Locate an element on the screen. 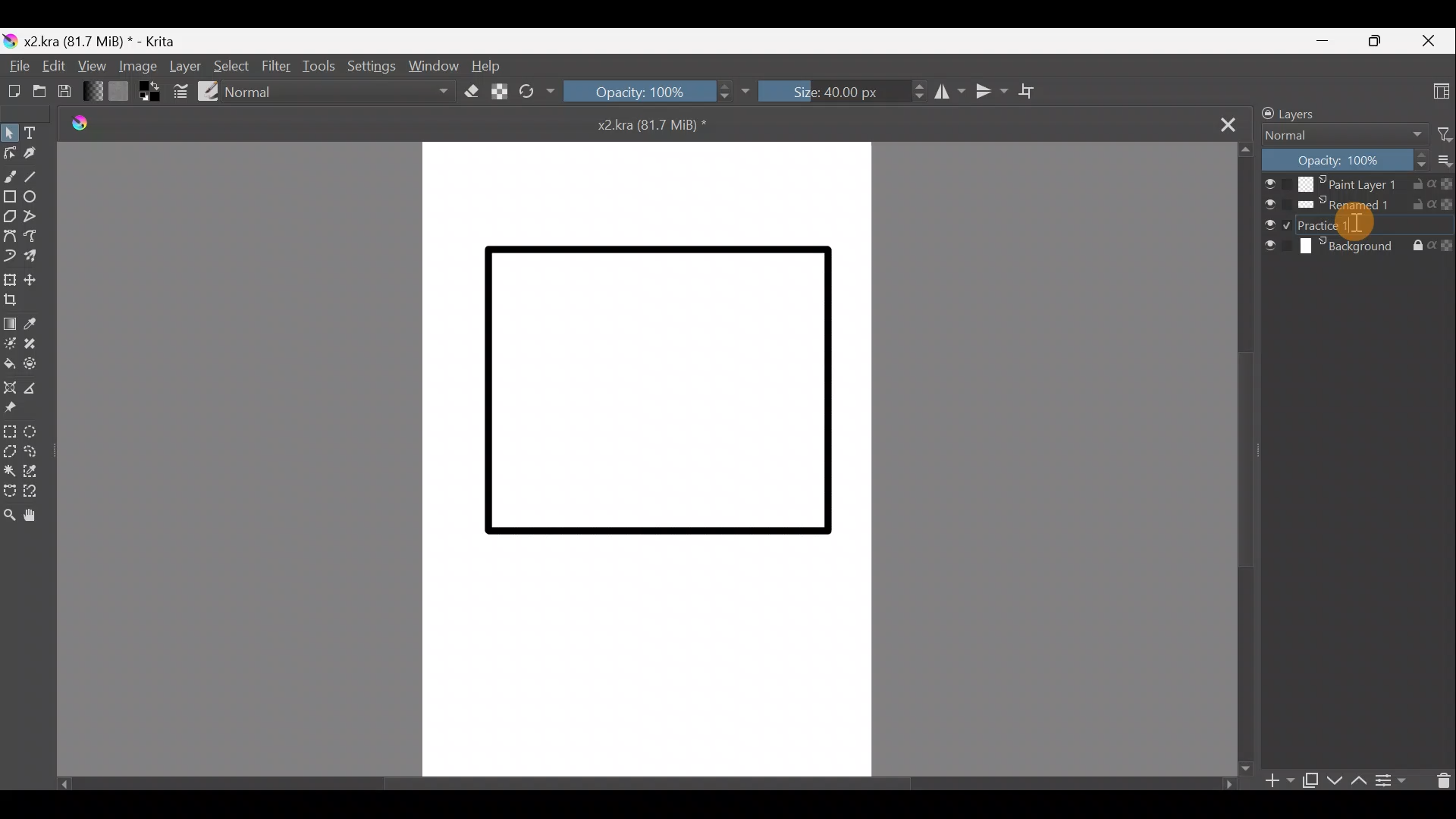 This screenshot has width=1456, height=819. Smart patch tool is located at coordinates (39, 344).